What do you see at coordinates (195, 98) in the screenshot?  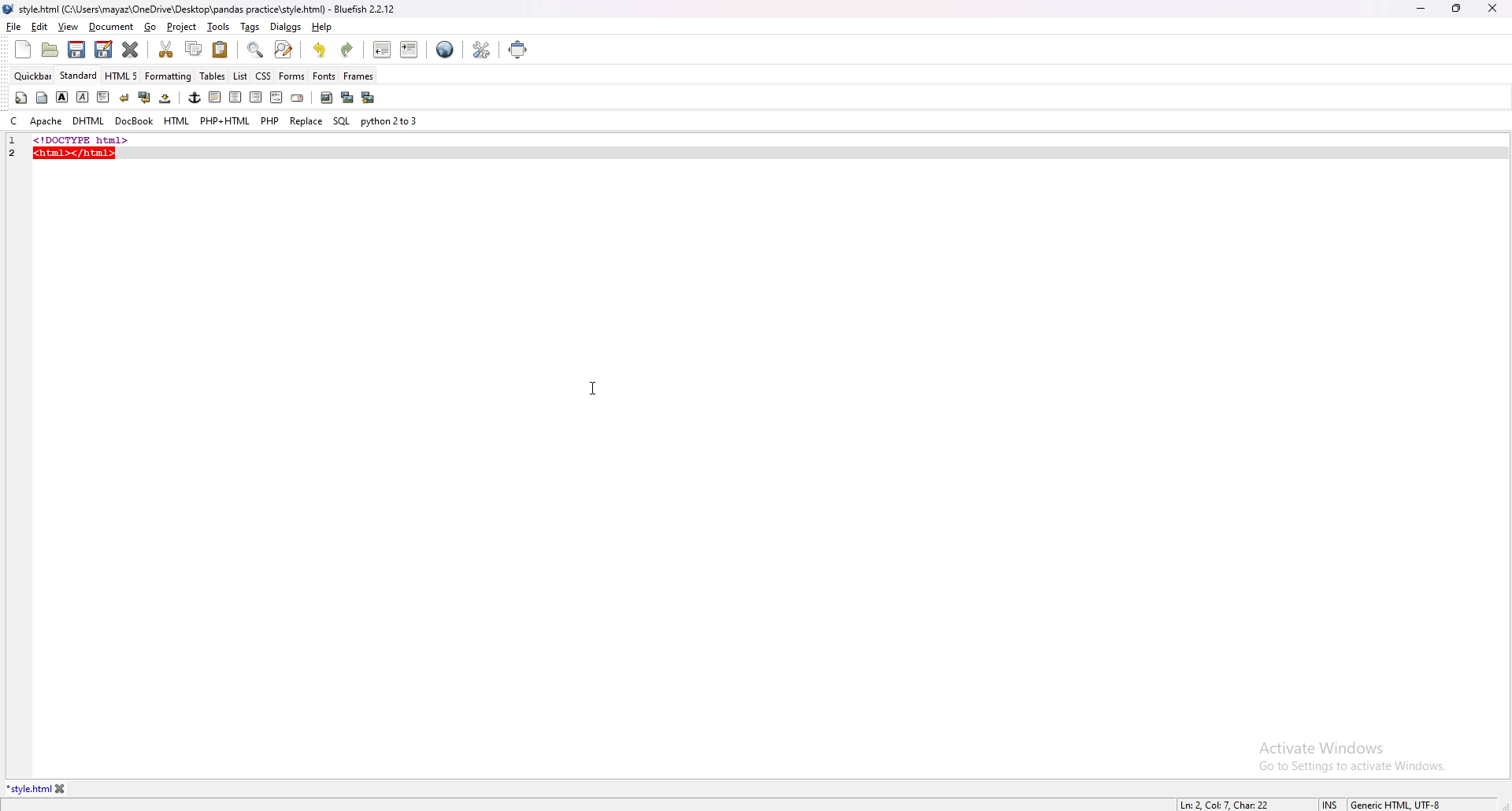 I see `anchor` at bounding box center [195, 98].